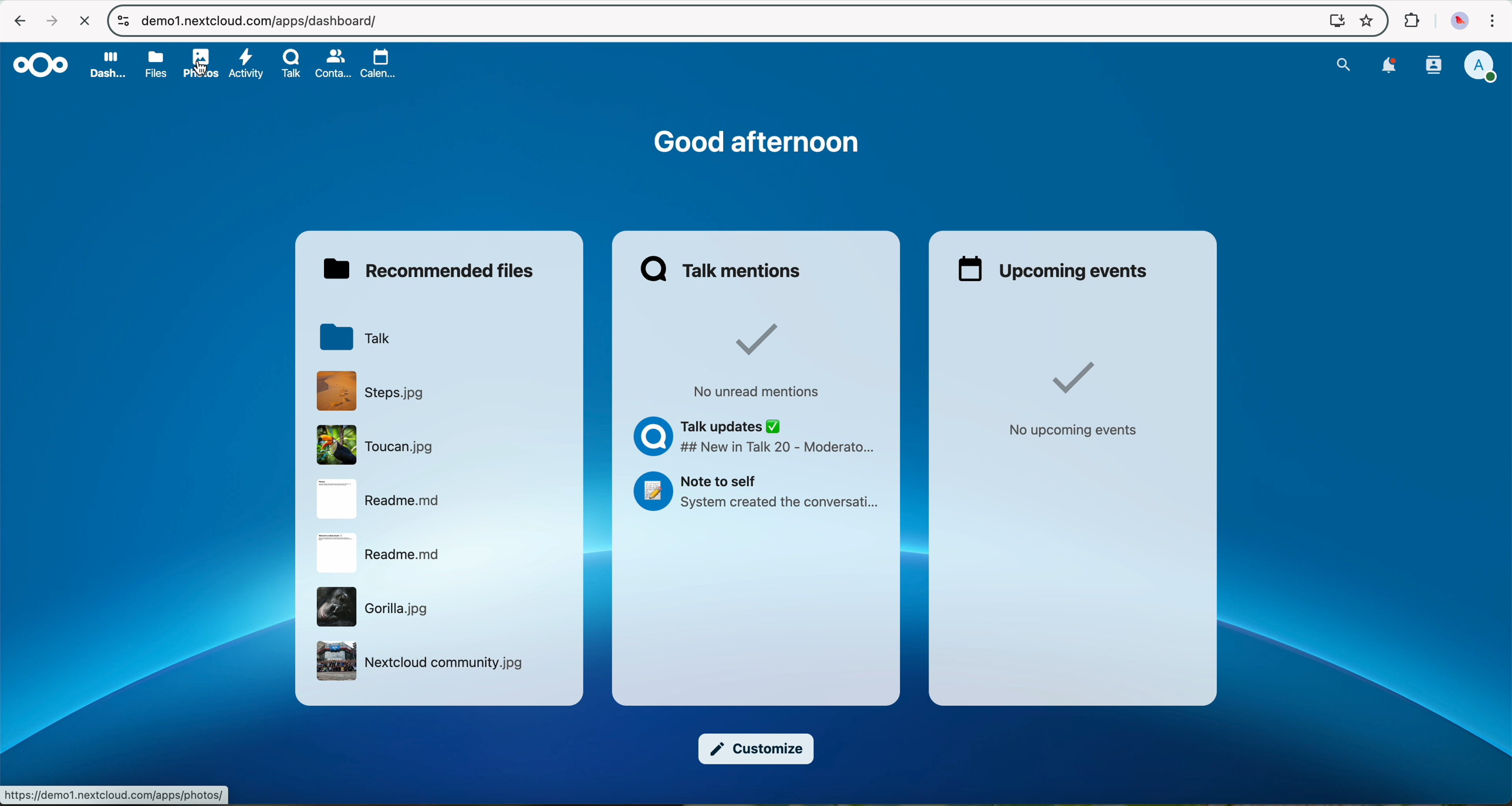 The height and width of the screenshot is (806, 1512). What do you see at coordinates (1491, 23) in the screenshot?
I see `customize and control Google Chrome` at bounding box center [1491, 23].